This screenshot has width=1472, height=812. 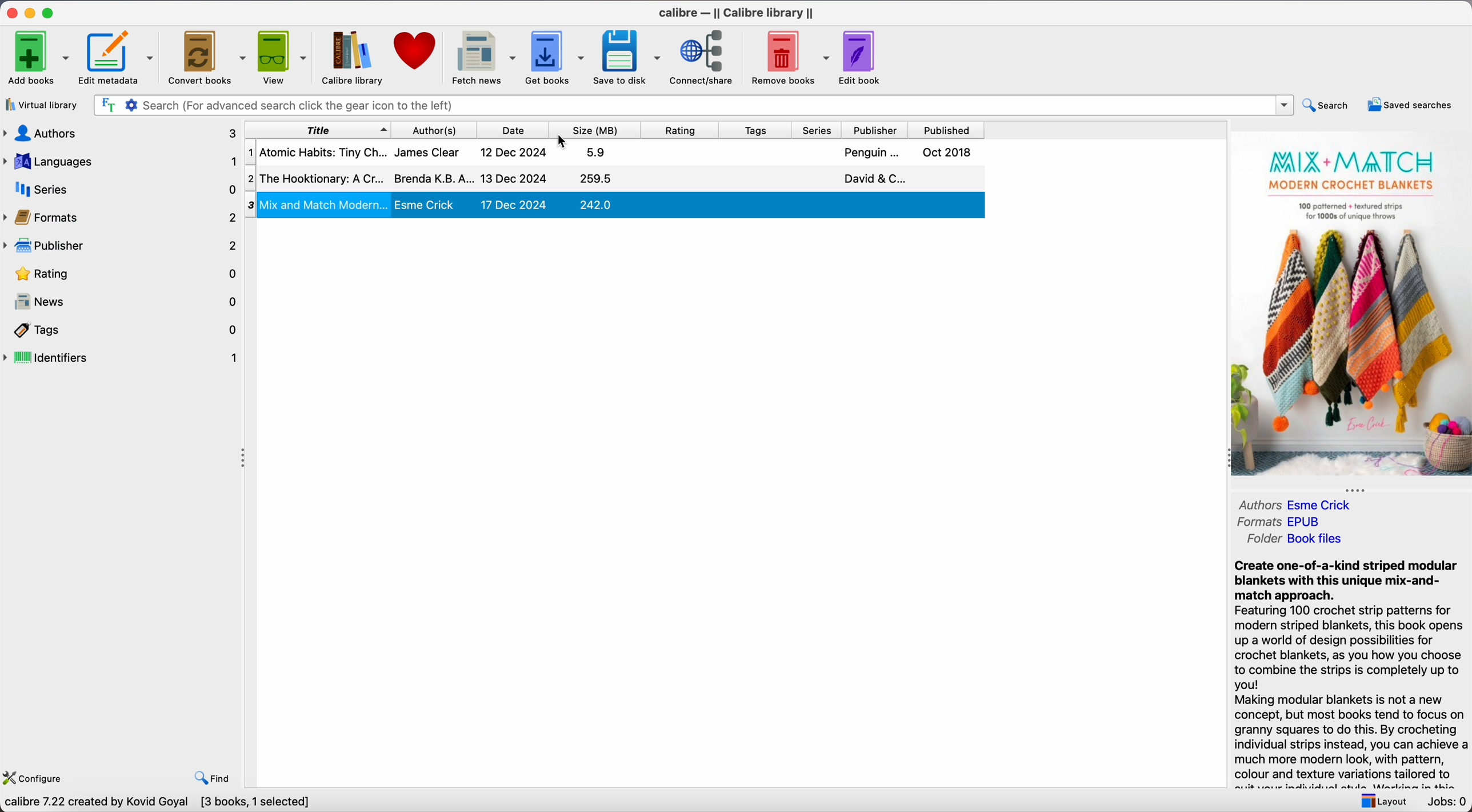 What do you see at coordinates (416, 52) in the screenshot?
I see `donate` at bounding box center [416, 52].